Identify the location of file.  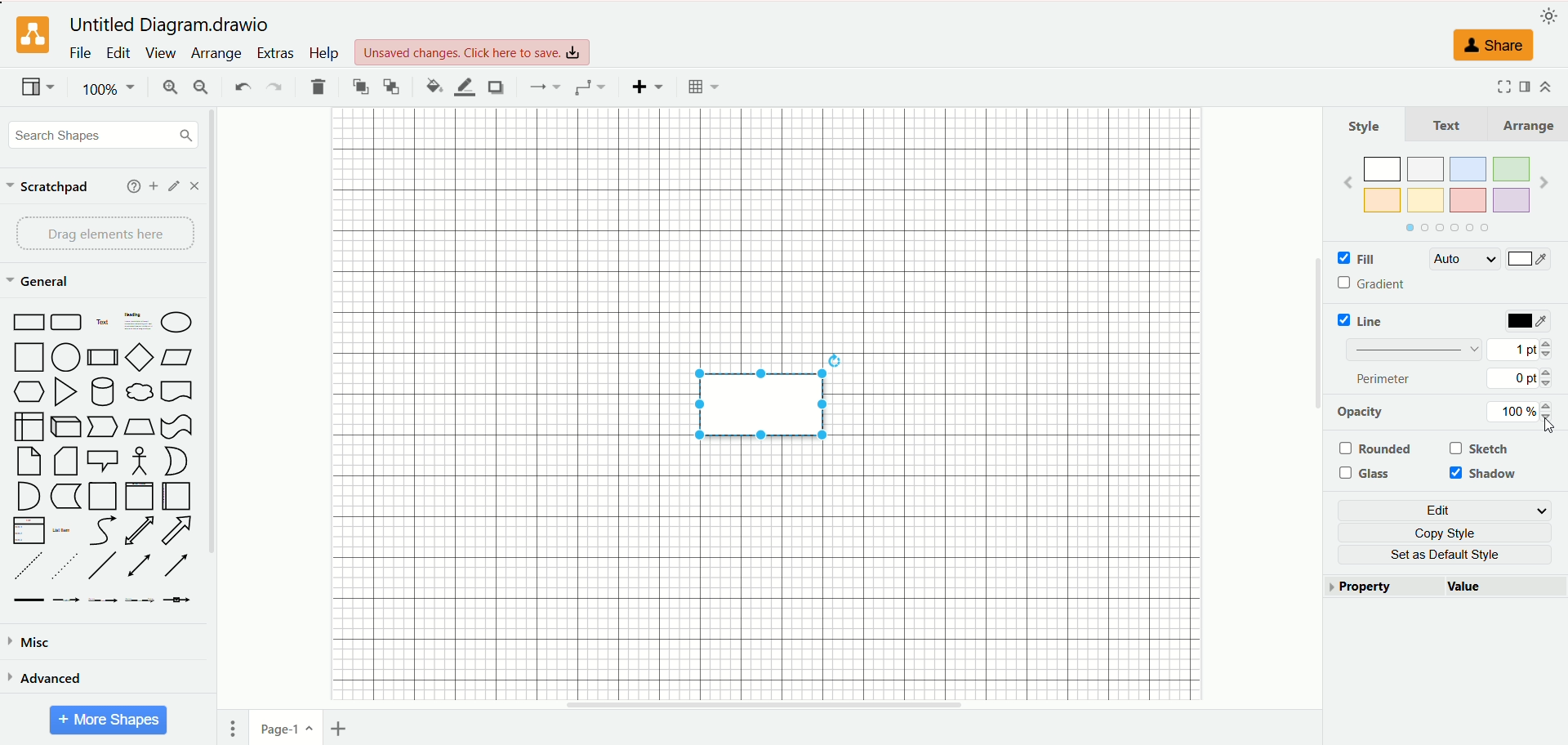
(81, 52).